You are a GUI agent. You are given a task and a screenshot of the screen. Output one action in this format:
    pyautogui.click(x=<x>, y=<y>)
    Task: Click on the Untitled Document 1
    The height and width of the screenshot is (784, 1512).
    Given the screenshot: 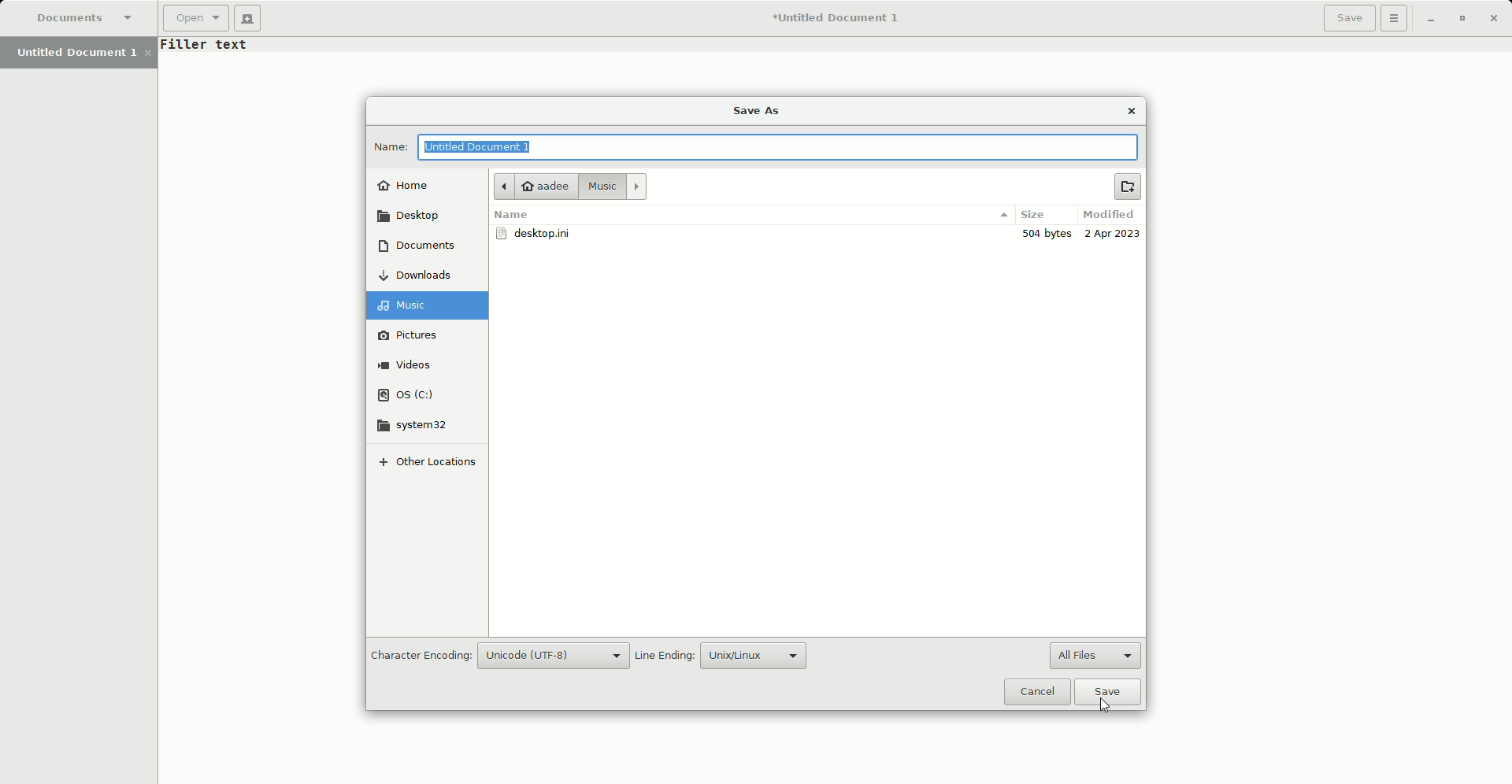 What is the action you would take?
    pyautogui.click(x=487, y=146)
    